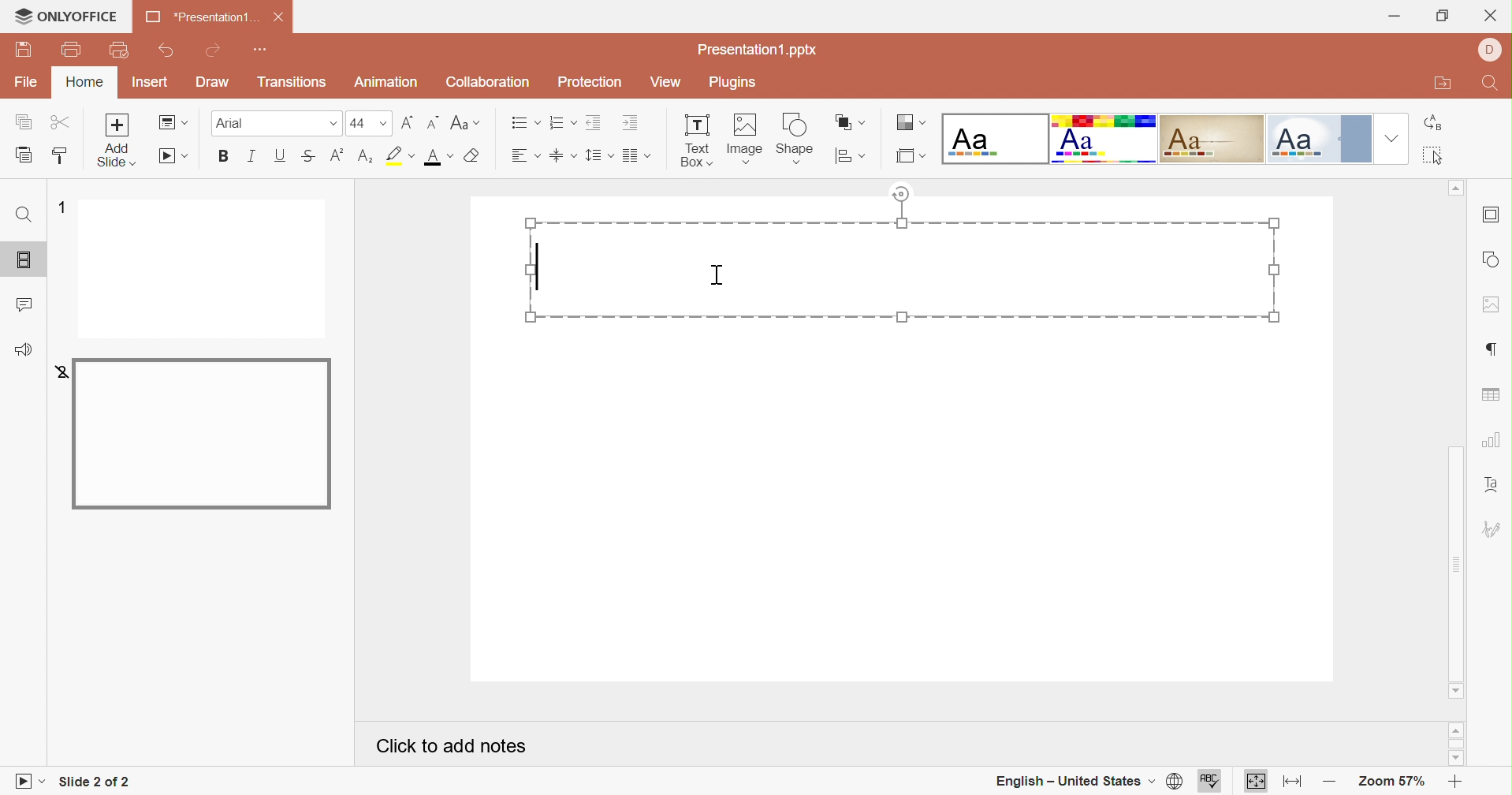 This screenshot has width=1512, height=795. What do you see at coordinates (1454, 185) in the screenshot?
I see `Scroll up` at bounding box center [1454, 185].